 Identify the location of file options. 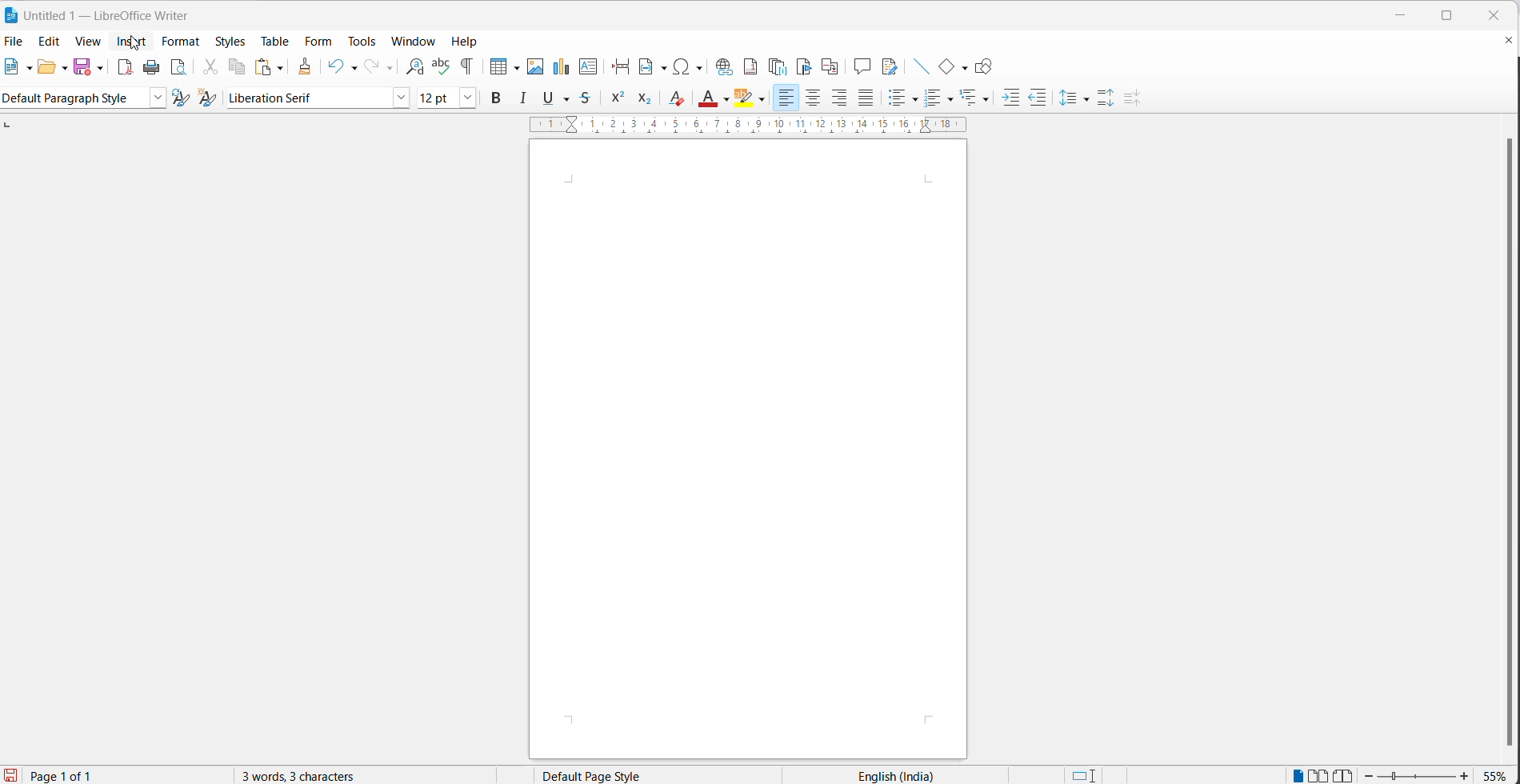
(27, 70).